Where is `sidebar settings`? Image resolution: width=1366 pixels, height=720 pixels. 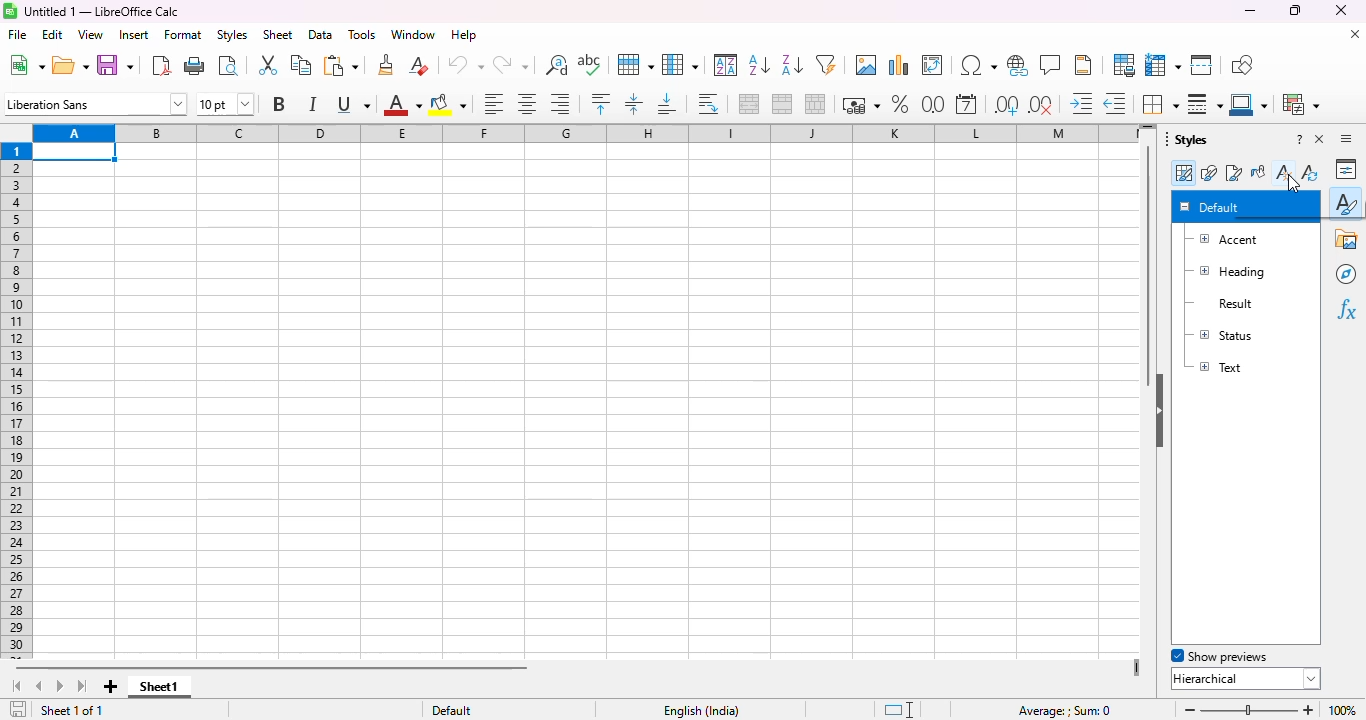 sidebar settings is located at coordinates (1346, 138).